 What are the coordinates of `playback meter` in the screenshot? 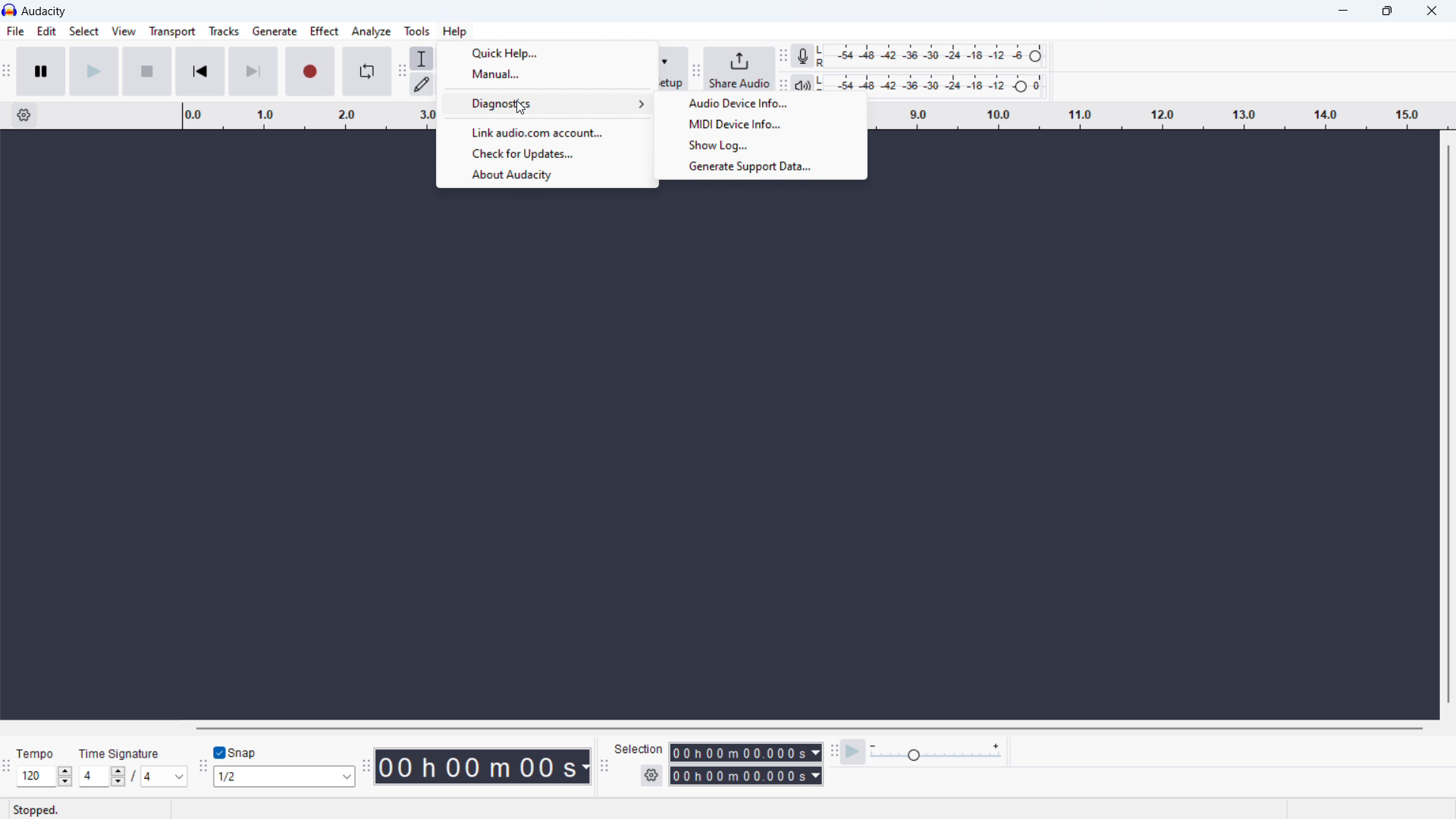 It's located at (803, 83).